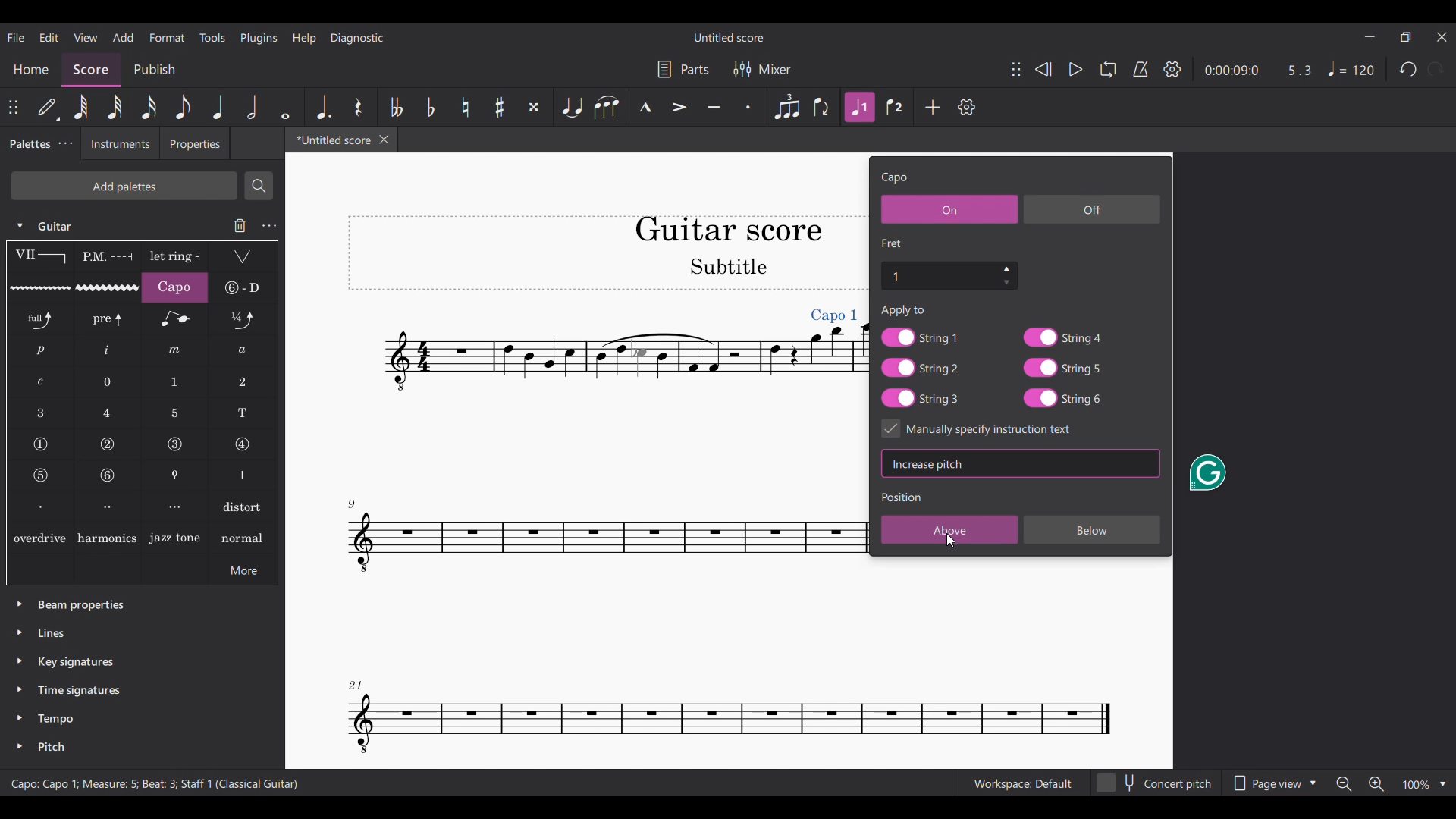 The height and width of the screenshot is (819, 1456). I want to click on LH guitar fingering 5, so click(175, 413).